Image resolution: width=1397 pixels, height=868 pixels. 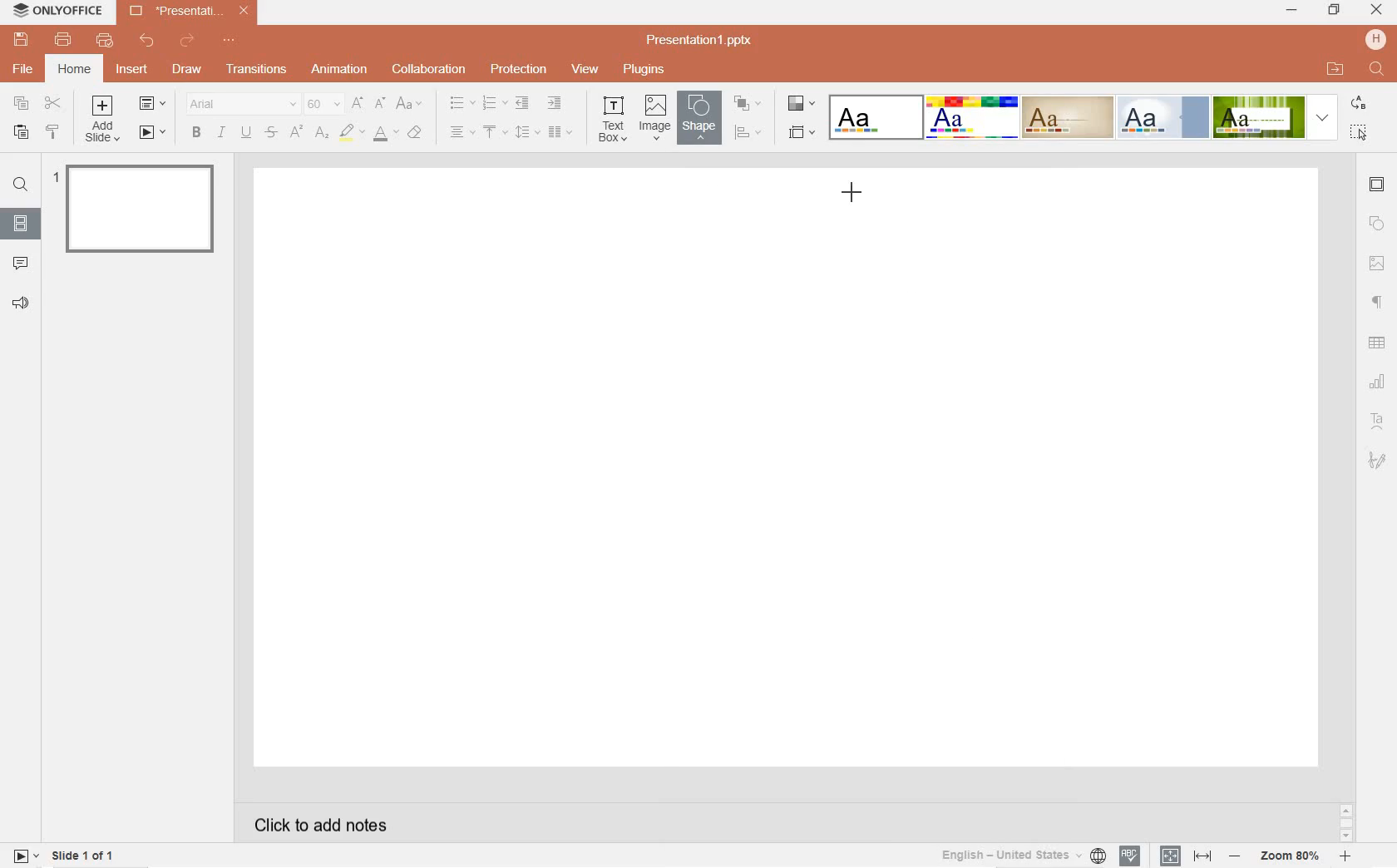 I want to click on line spacing, so click(x=526, y=131).